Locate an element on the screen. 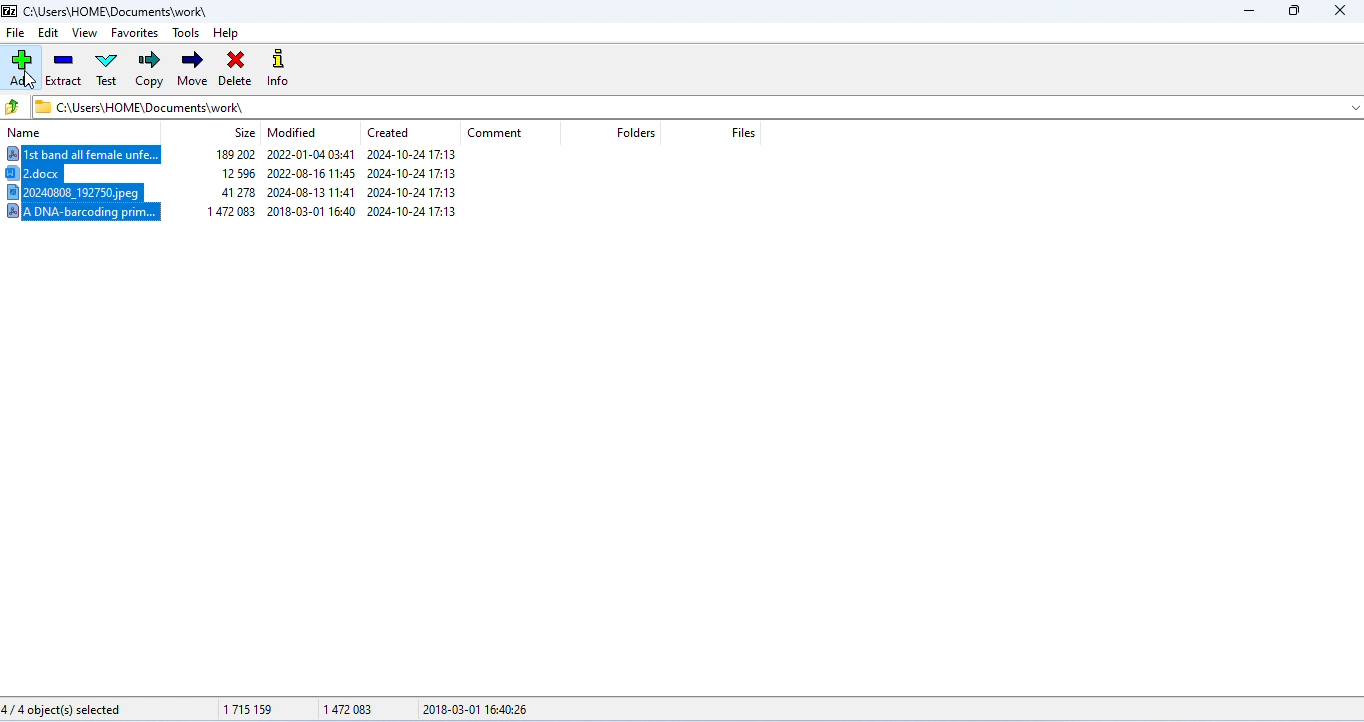 The height and width of the screenshot is (722, 1364). favorites is located at coordinates (136, 32).